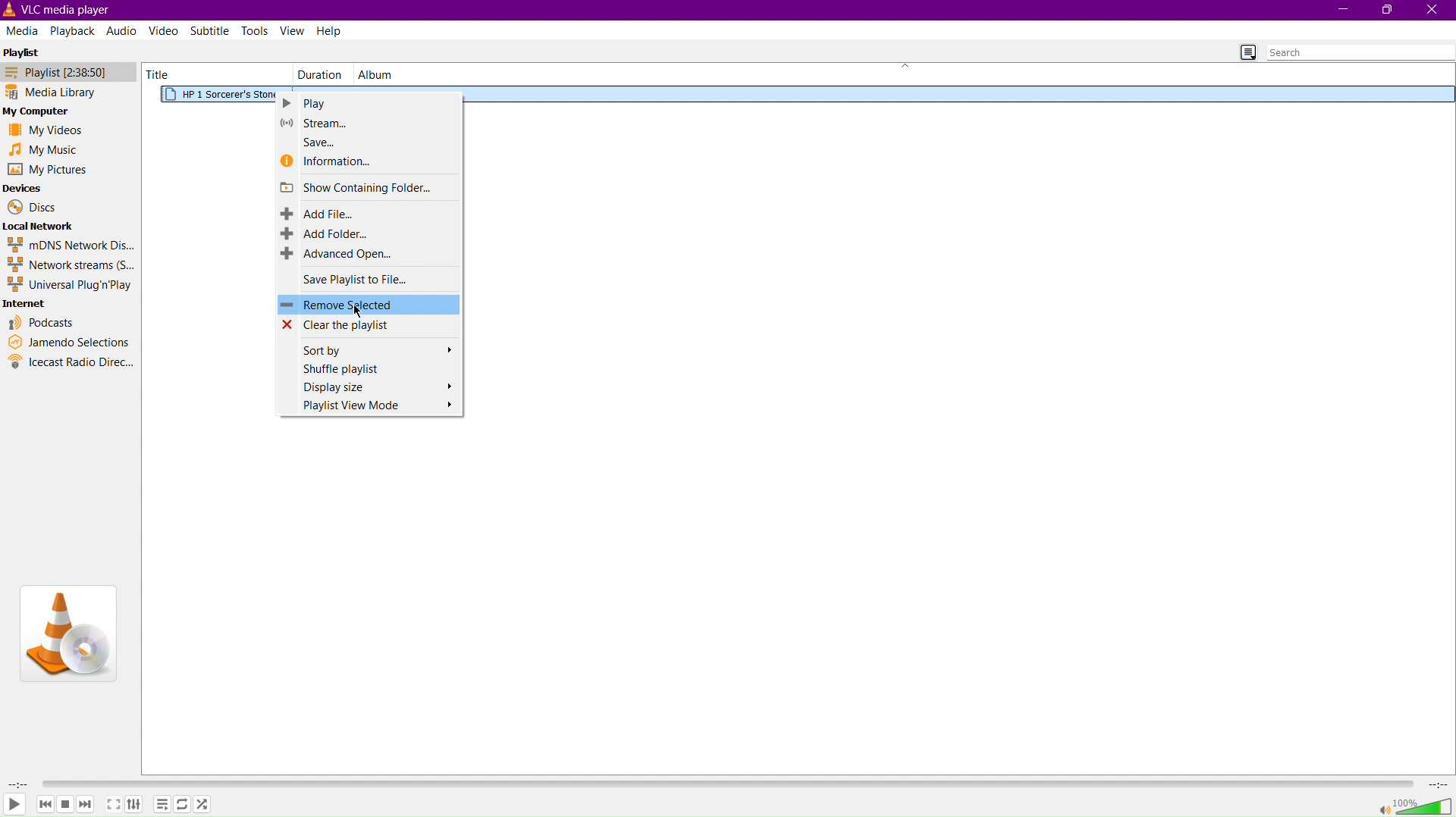  I want to click on Media, so click(24, 30).